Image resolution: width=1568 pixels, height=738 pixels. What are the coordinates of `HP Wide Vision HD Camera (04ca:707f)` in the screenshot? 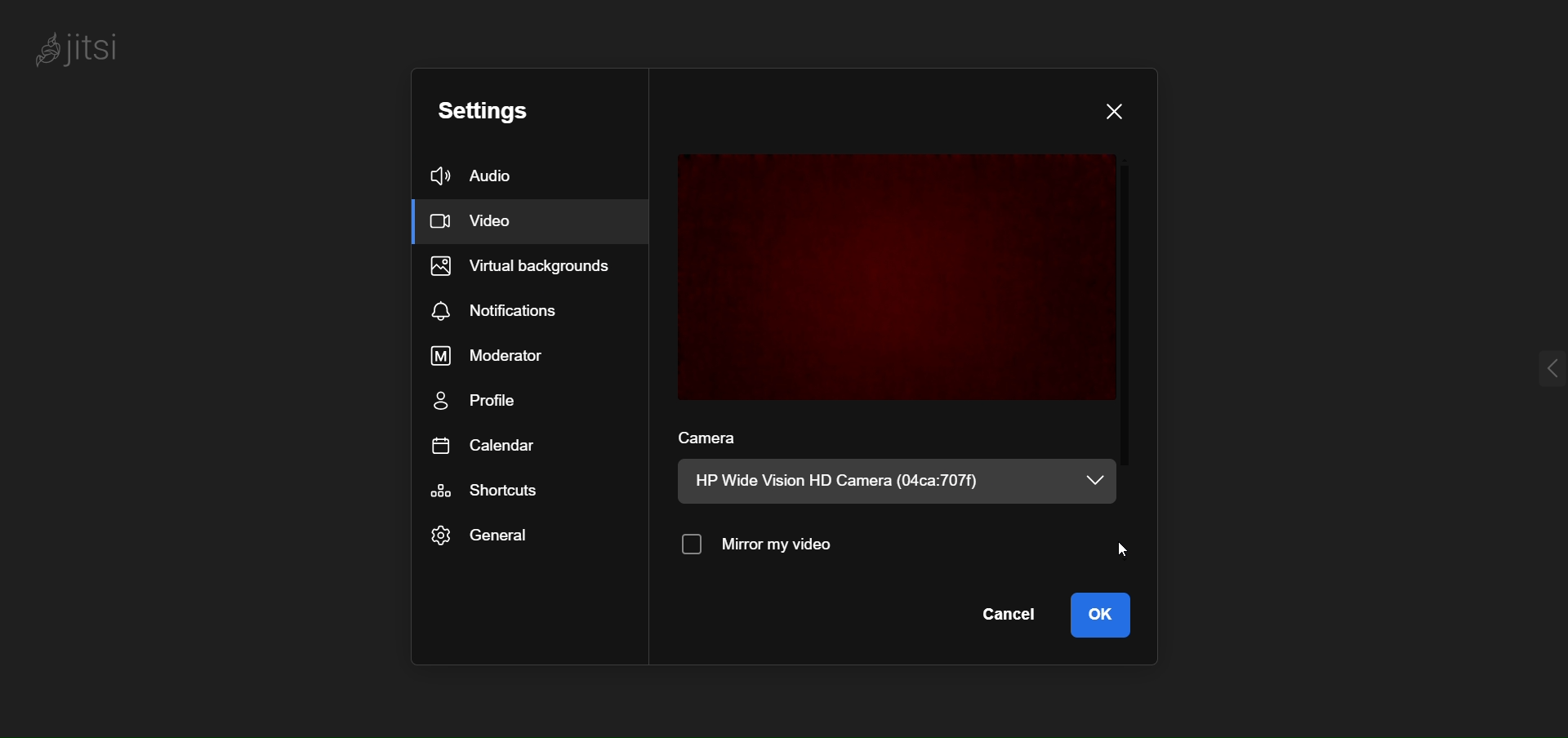 It's located at (844, 484).